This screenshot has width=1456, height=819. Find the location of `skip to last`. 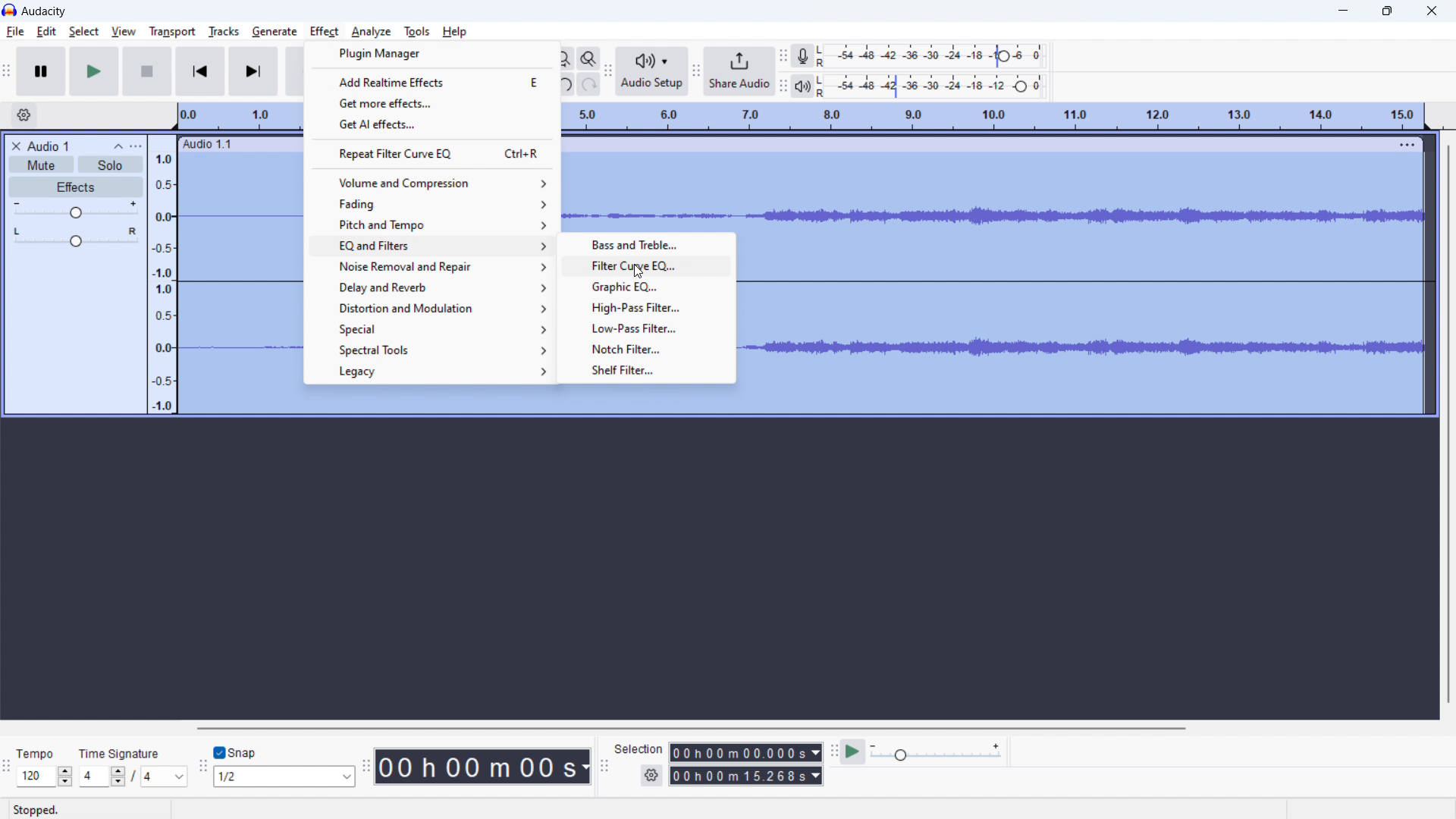

skip to last is located at coordinates (254, 72).